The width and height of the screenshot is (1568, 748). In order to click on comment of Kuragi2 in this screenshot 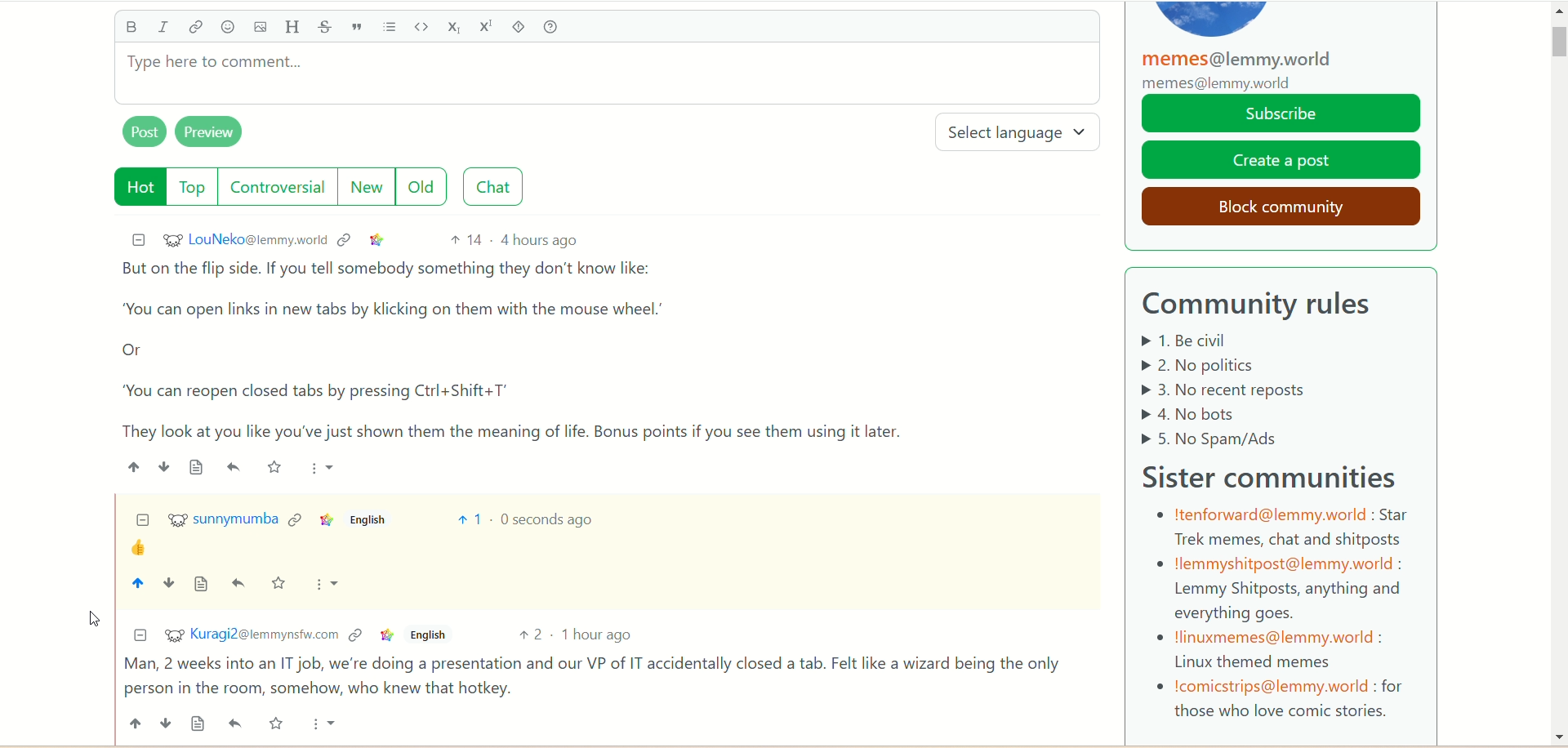, I will do `click(594, 679)`.